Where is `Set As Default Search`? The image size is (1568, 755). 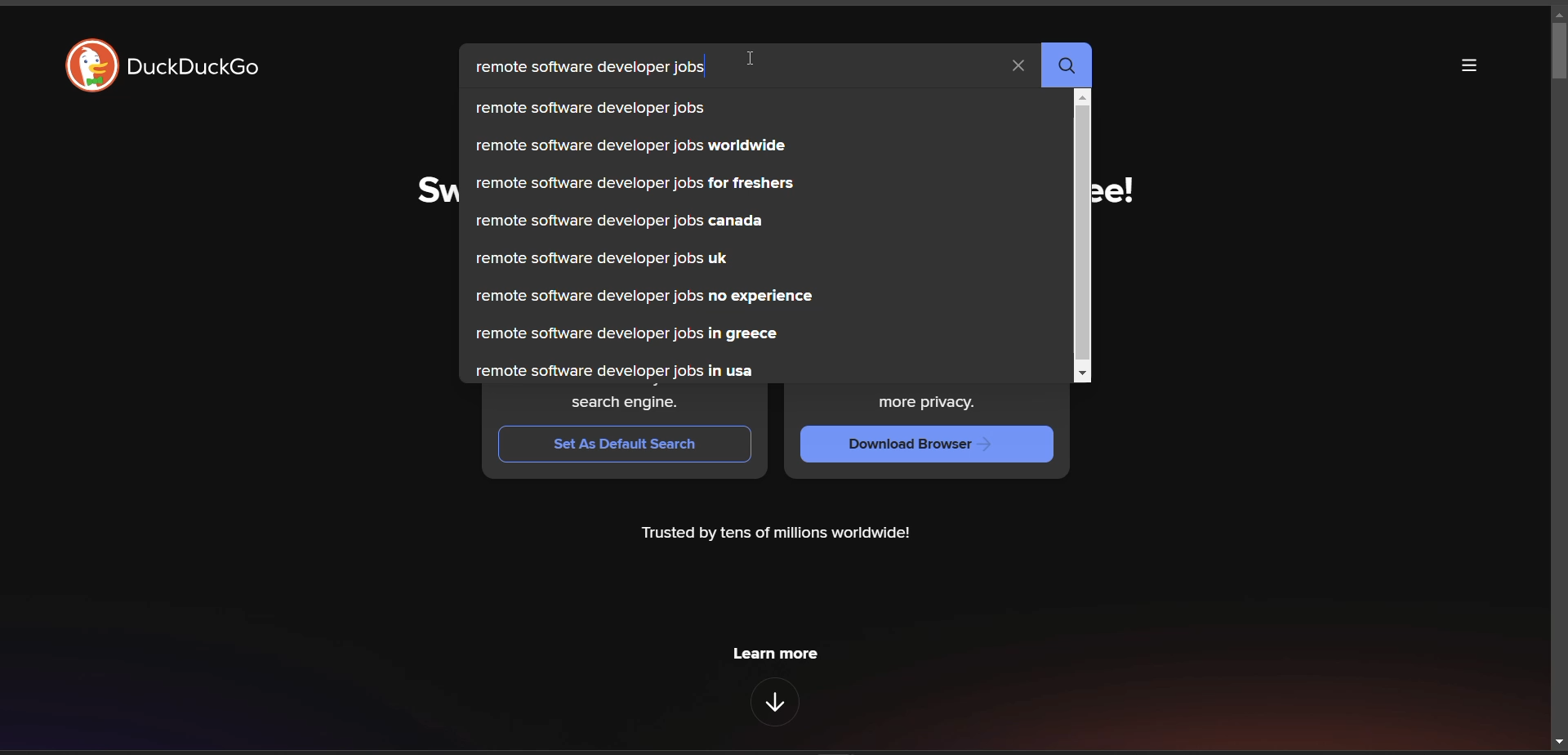 Set As Default Search is located at coordinates (620, 445).